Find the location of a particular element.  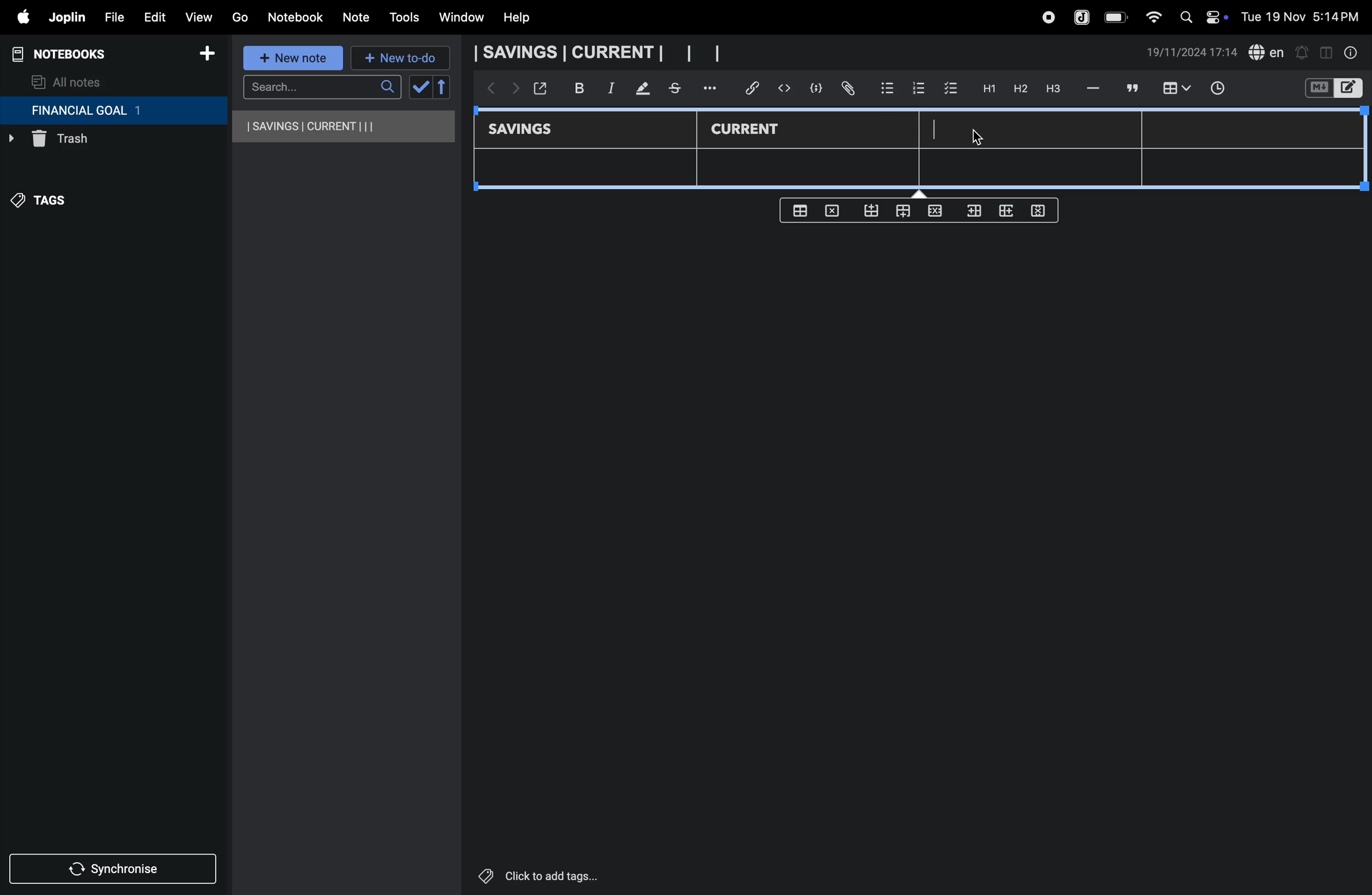

savings and current is located at coordinates (345, 126).